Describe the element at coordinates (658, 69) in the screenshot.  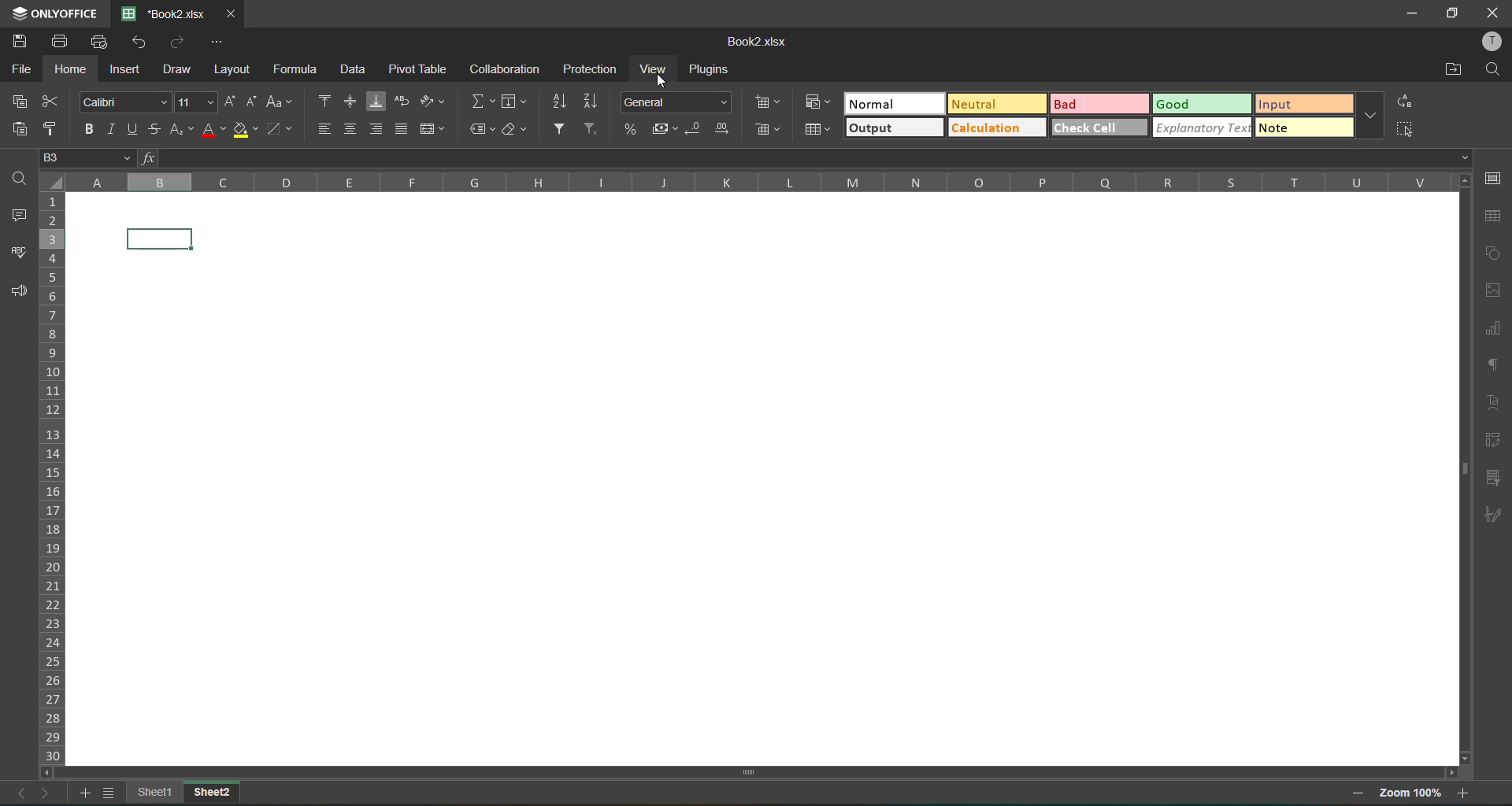
I see `view` at that location.